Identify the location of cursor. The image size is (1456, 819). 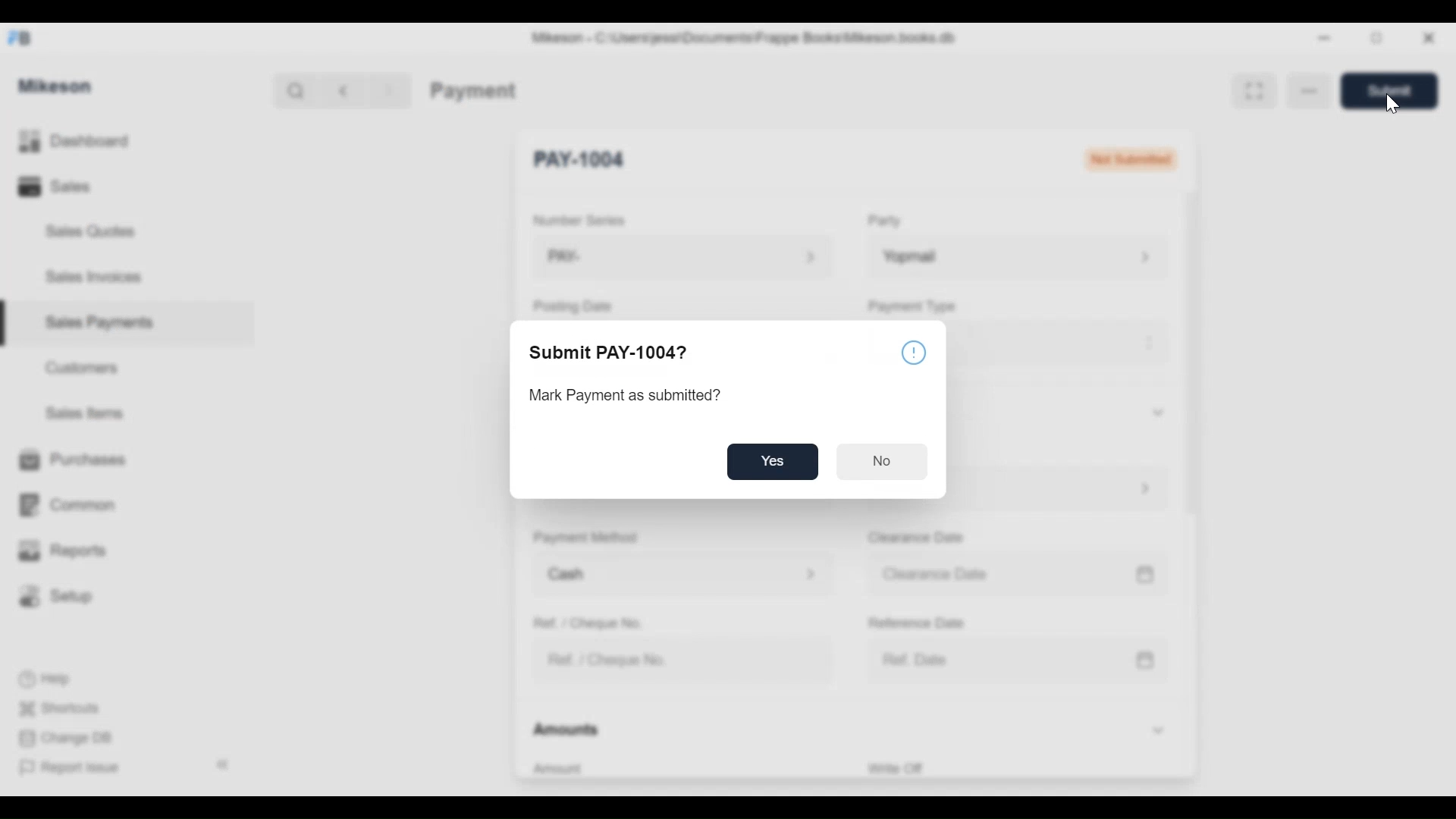
(1392, 107).